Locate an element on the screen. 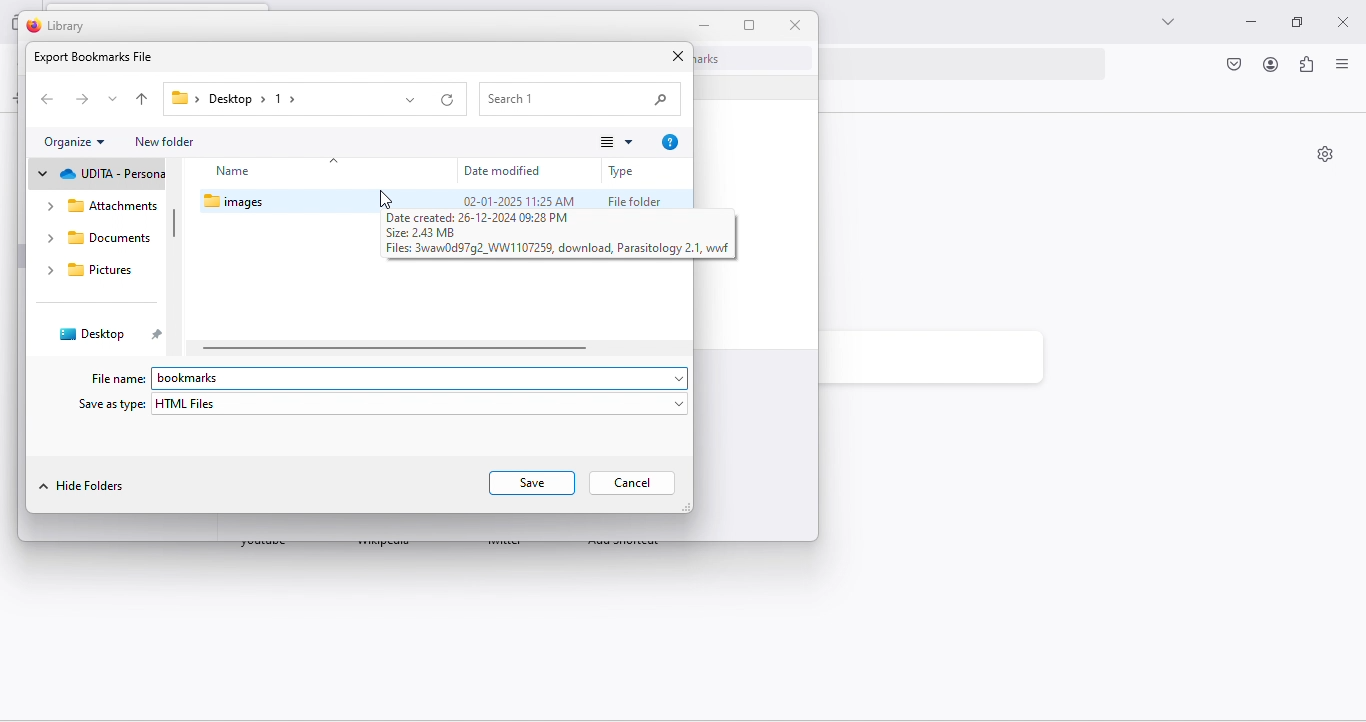 The width and height of the screenshot is (1366, 722). images folder is located at coordinates (249, 202).